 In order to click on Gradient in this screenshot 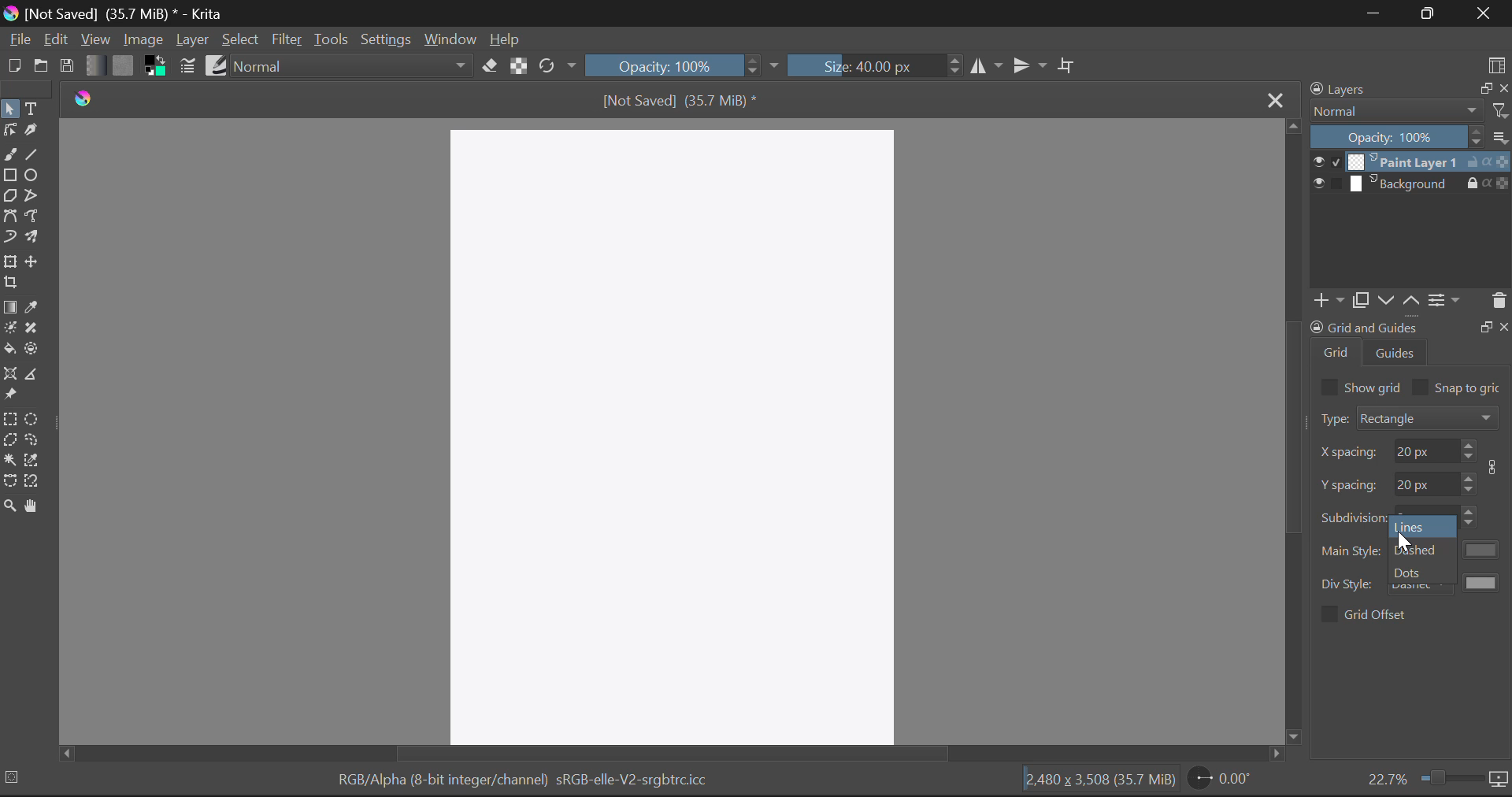, I will do `click(94, 64)`.